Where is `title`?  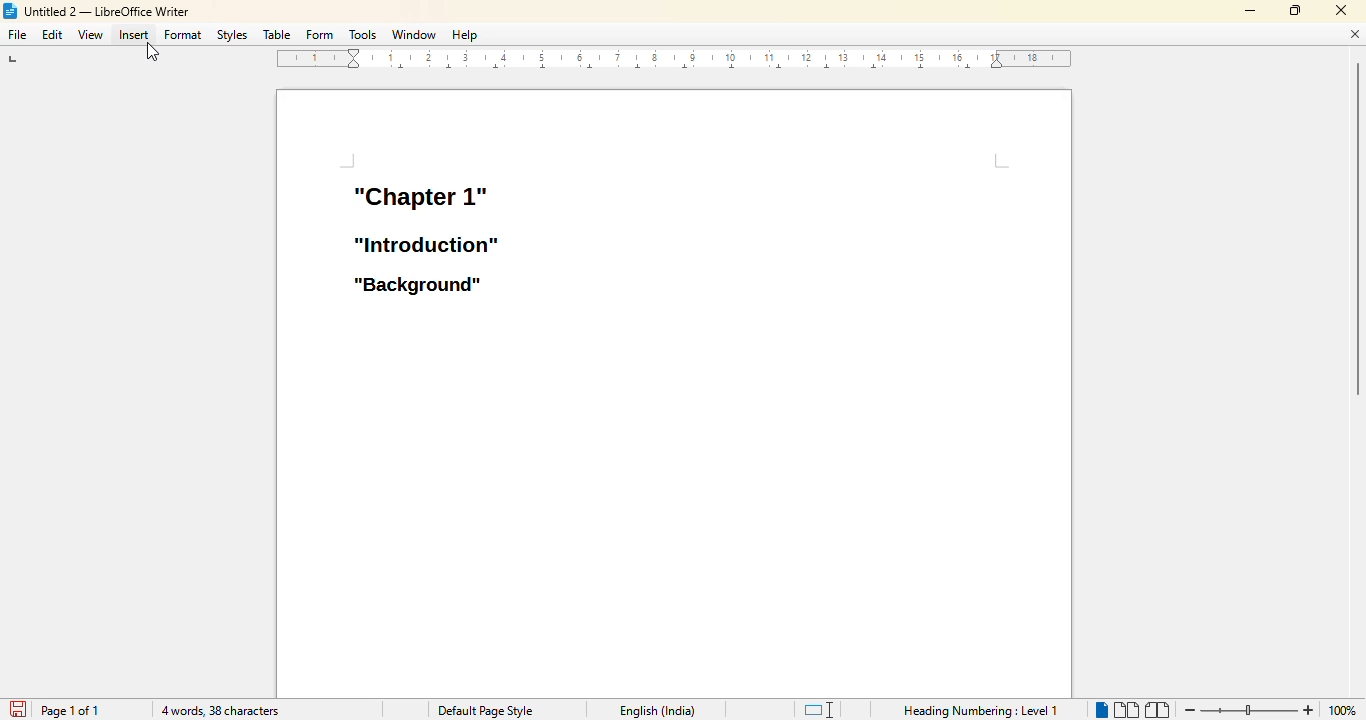
title is located at coordinates (96, 11).